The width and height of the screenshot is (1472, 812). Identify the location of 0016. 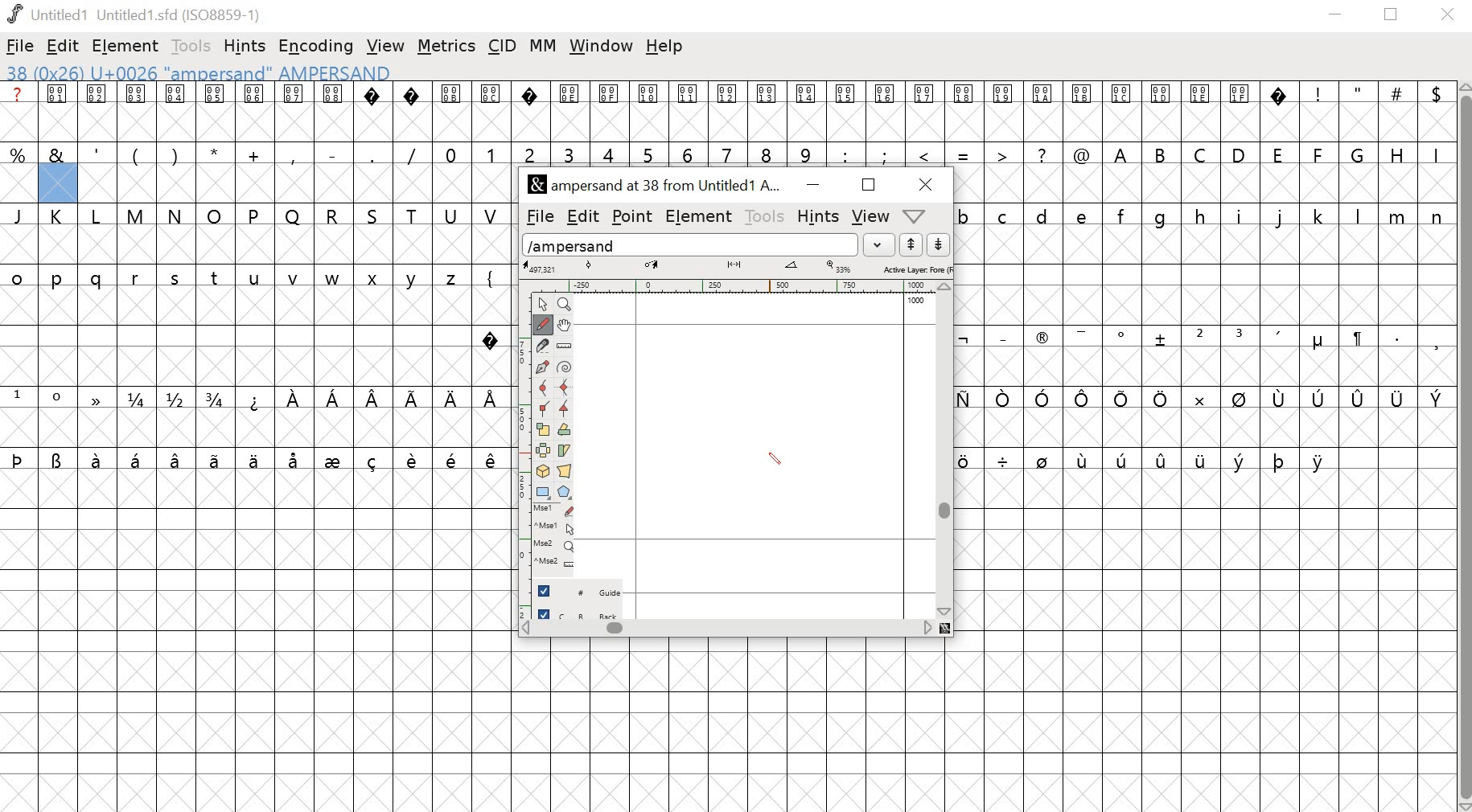
(886, 110).